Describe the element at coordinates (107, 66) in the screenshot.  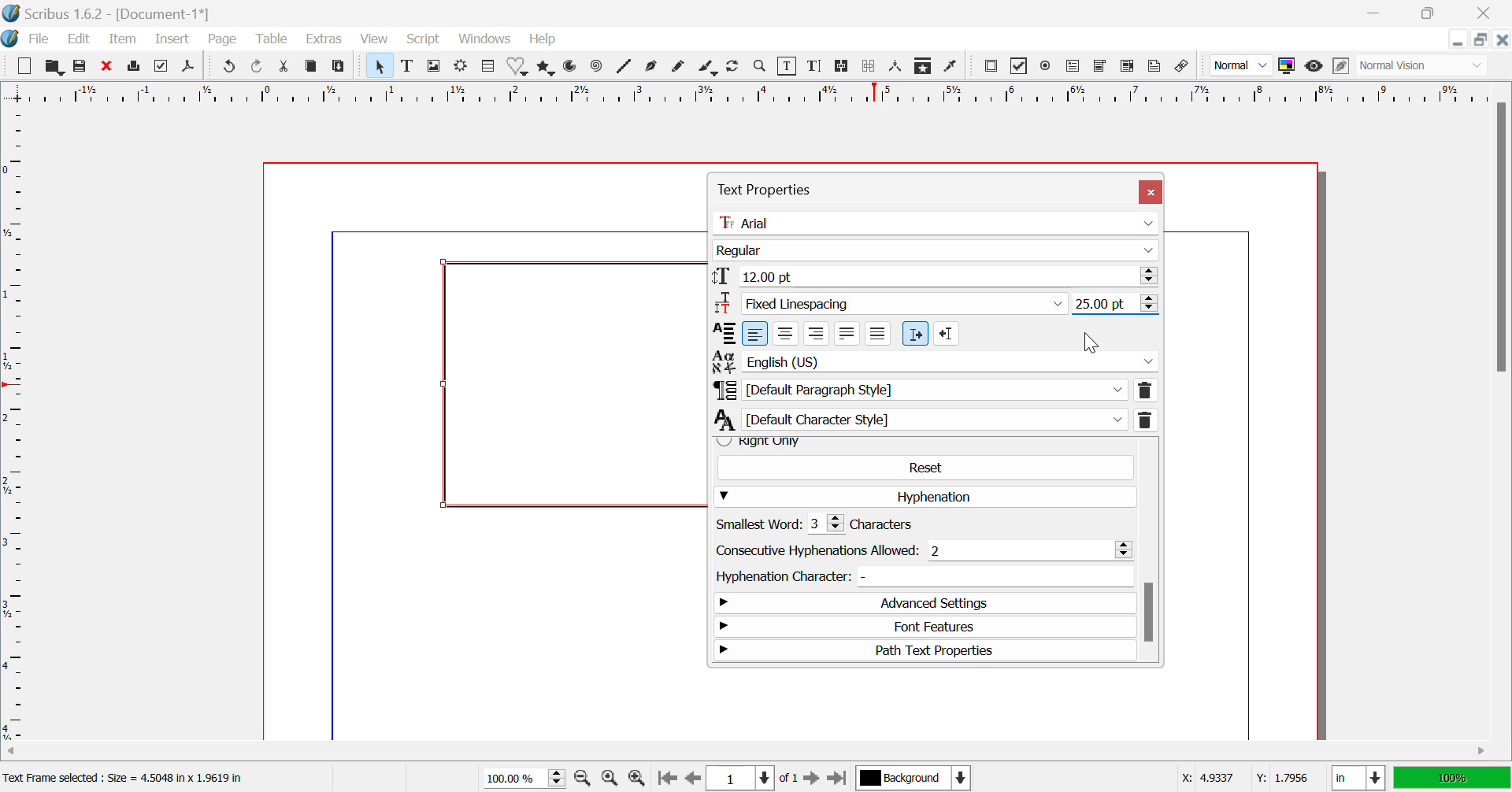
I see `Discard` at that location.